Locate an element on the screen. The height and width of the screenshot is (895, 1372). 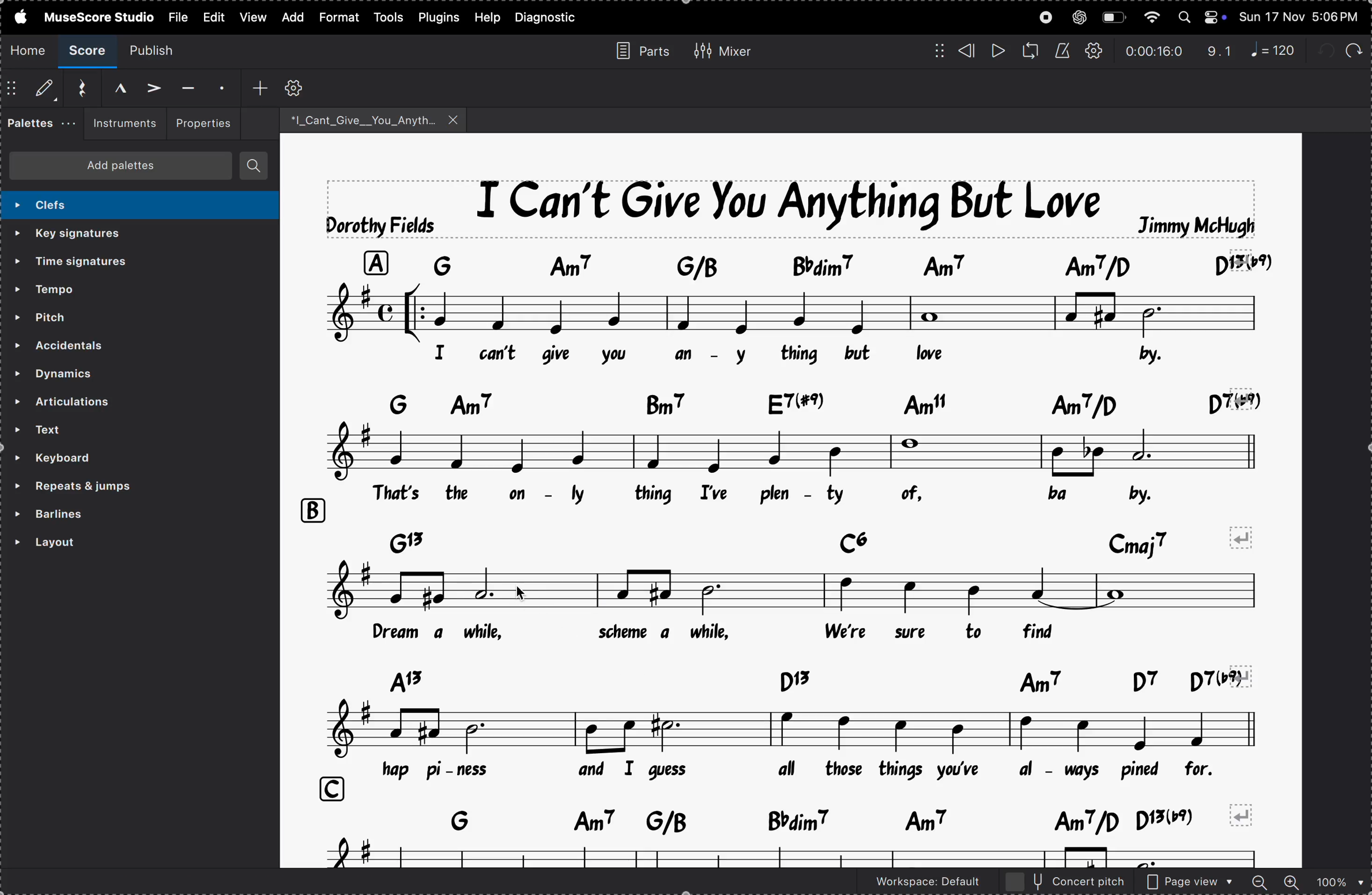
plugins is located at coordinates (439, 17).